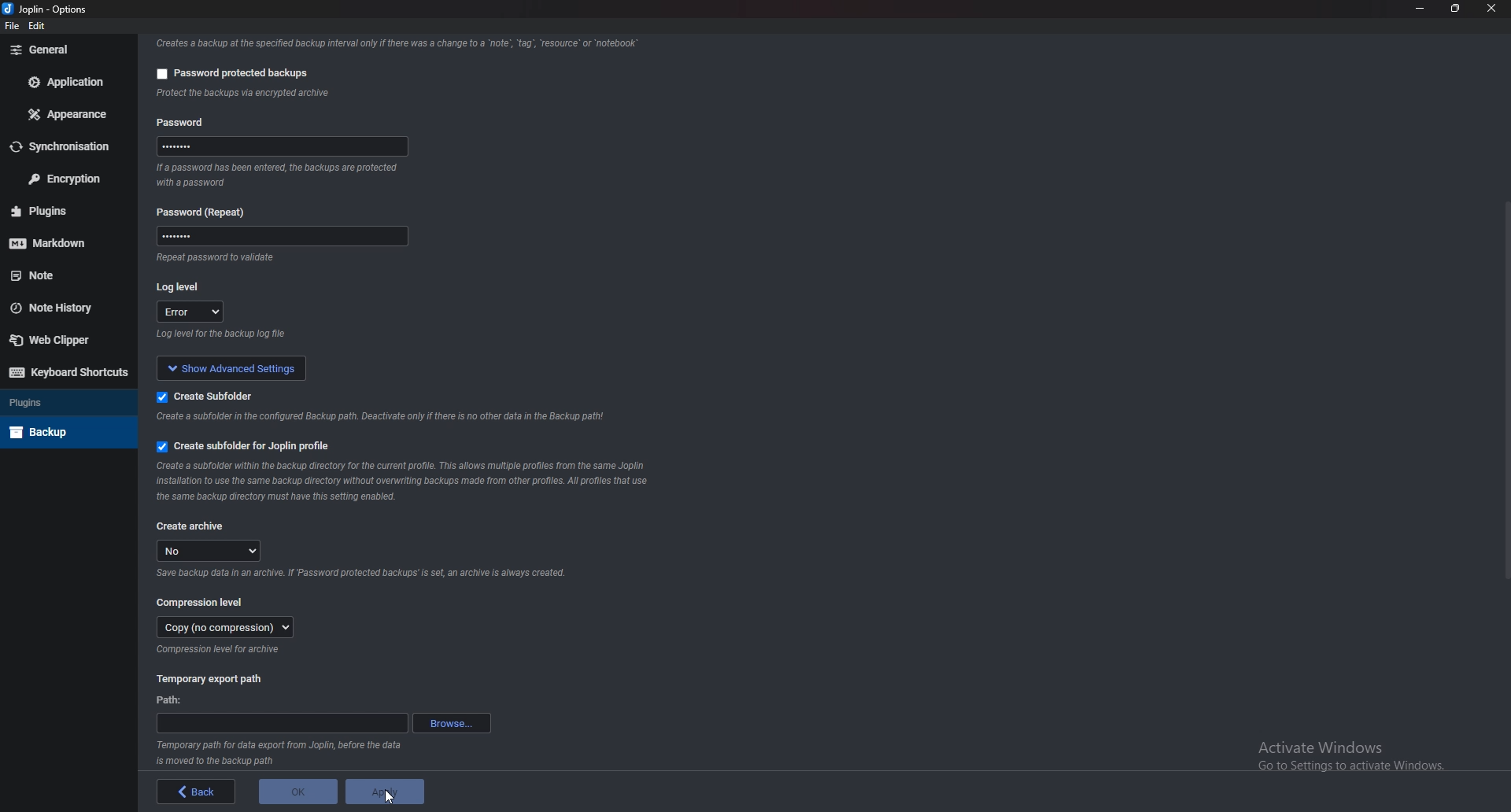 The width and height of the screenshot is (1511, 812). Describe the element at coordinates (281, 754) in the screenshot. I see `Info` at that location.